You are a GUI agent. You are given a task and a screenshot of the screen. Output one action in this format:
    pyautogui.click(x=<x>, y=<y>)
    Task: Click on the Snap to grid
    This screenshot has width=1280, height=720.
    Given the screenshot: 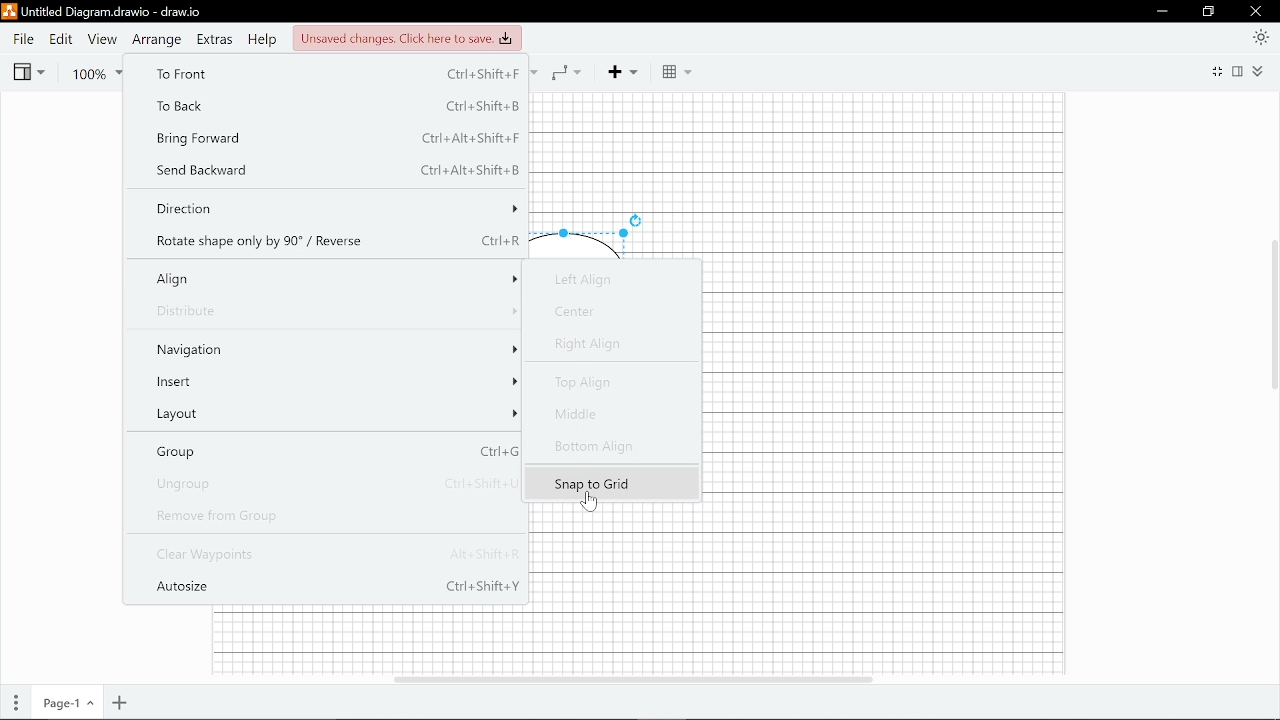 What is the action you would take?
    pyautogui.click(x=614, y=483)
    